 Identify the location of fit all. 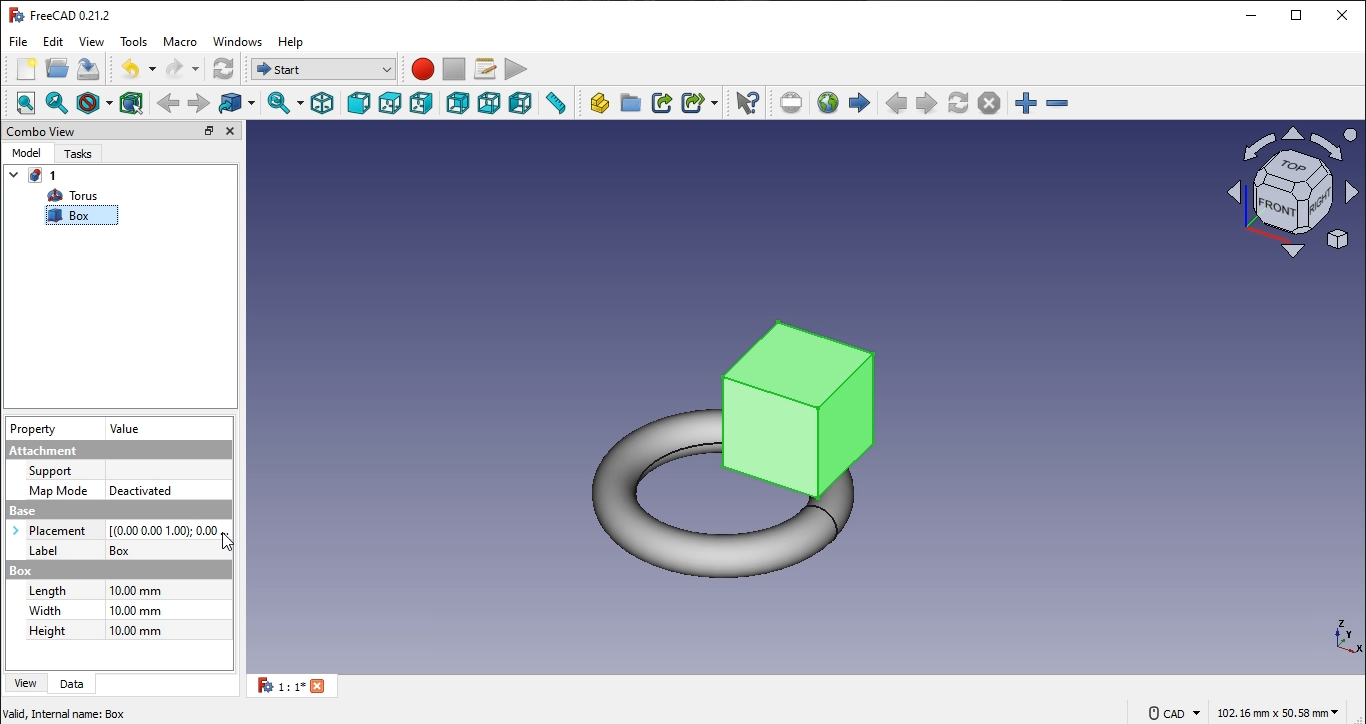
(26, 102).